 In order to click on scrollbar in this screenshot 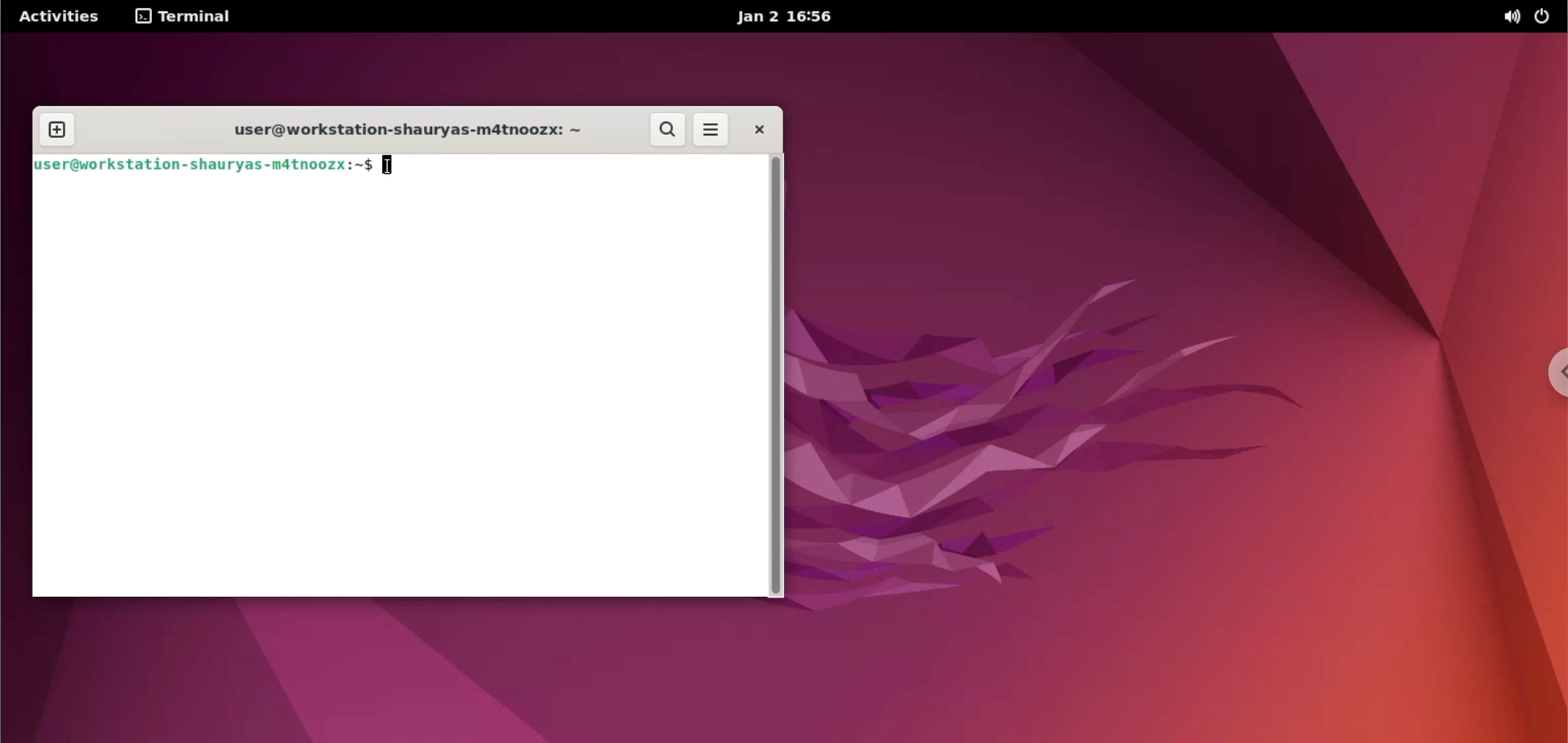, I will do `click(777, 374)`.